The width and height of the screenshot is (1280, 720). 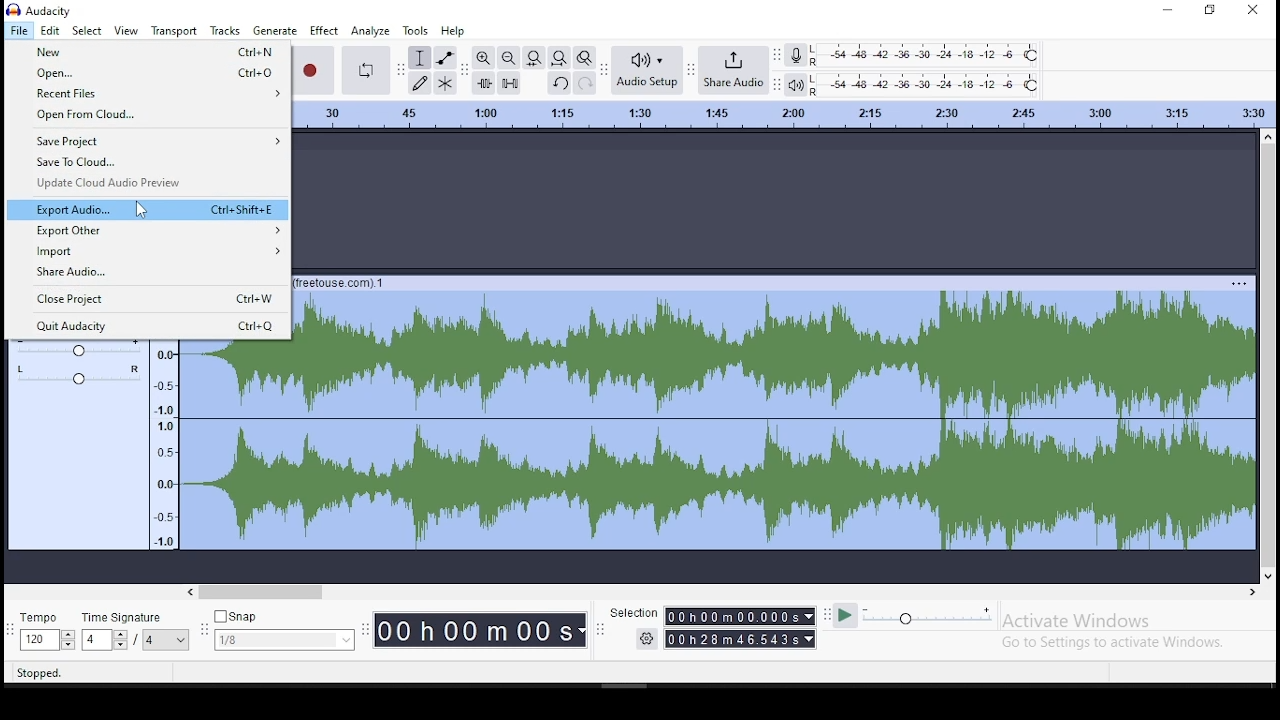 What do you see at coordinates (558, 83) in the screenshot?
I see `undo` at bounding box center [558, 83].